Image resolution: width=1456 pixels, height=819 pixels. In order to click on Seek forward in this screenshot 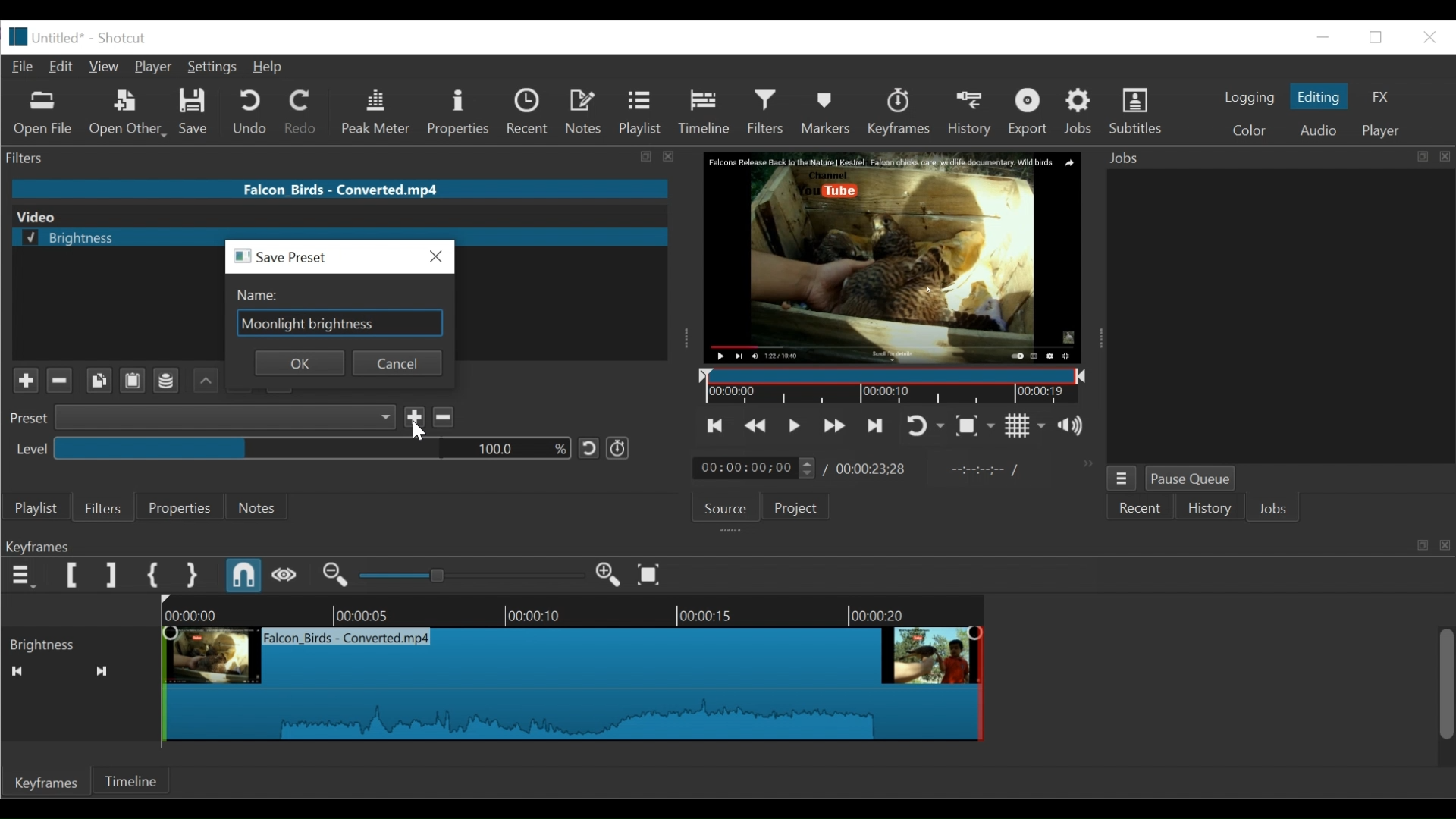, I will do `click(102, 671)`.